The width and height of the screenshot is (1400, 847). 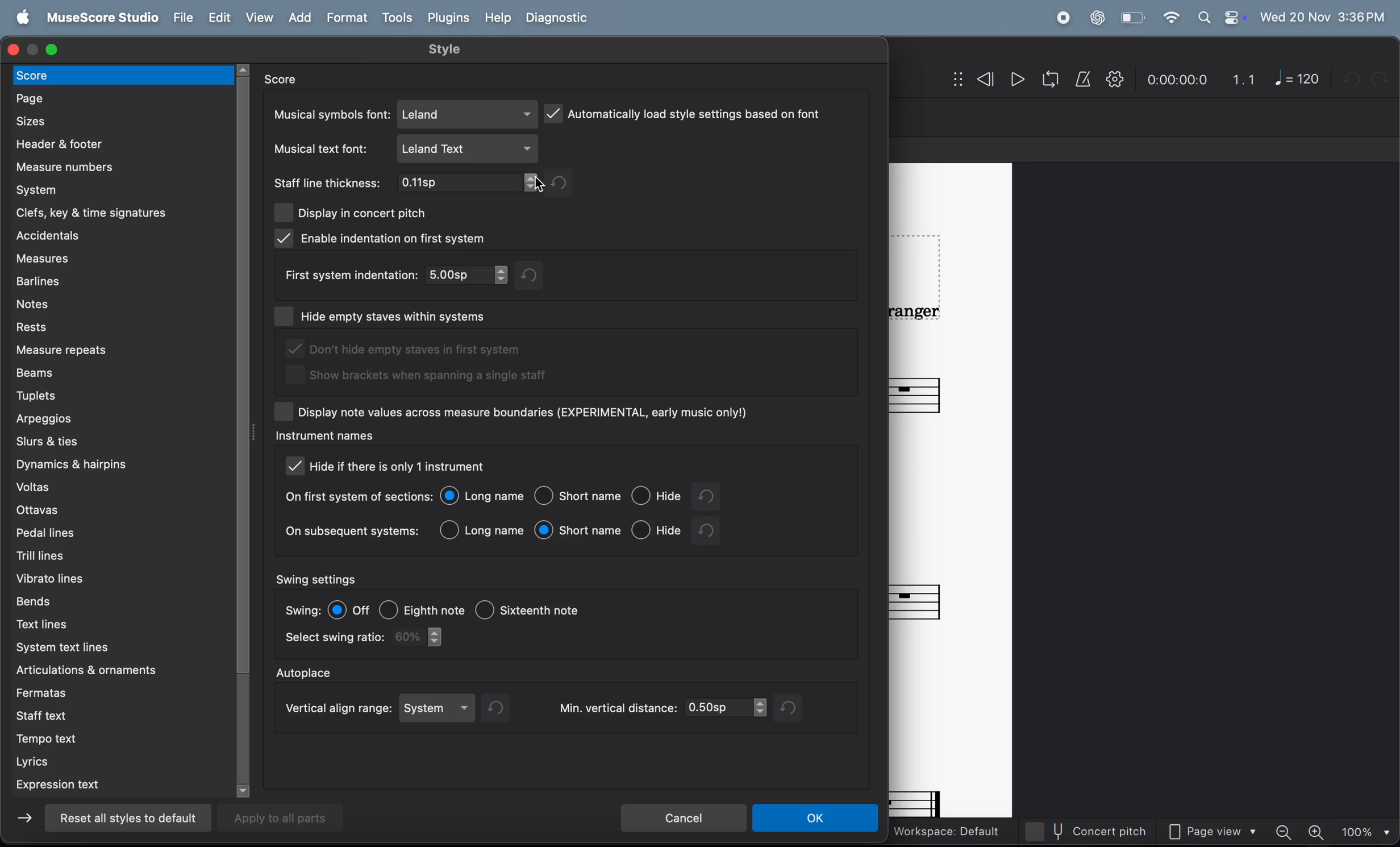 What do you see at coordinates (319, 578) in the screenshot?
I see `swing settings` at bounding box center [319, 578].